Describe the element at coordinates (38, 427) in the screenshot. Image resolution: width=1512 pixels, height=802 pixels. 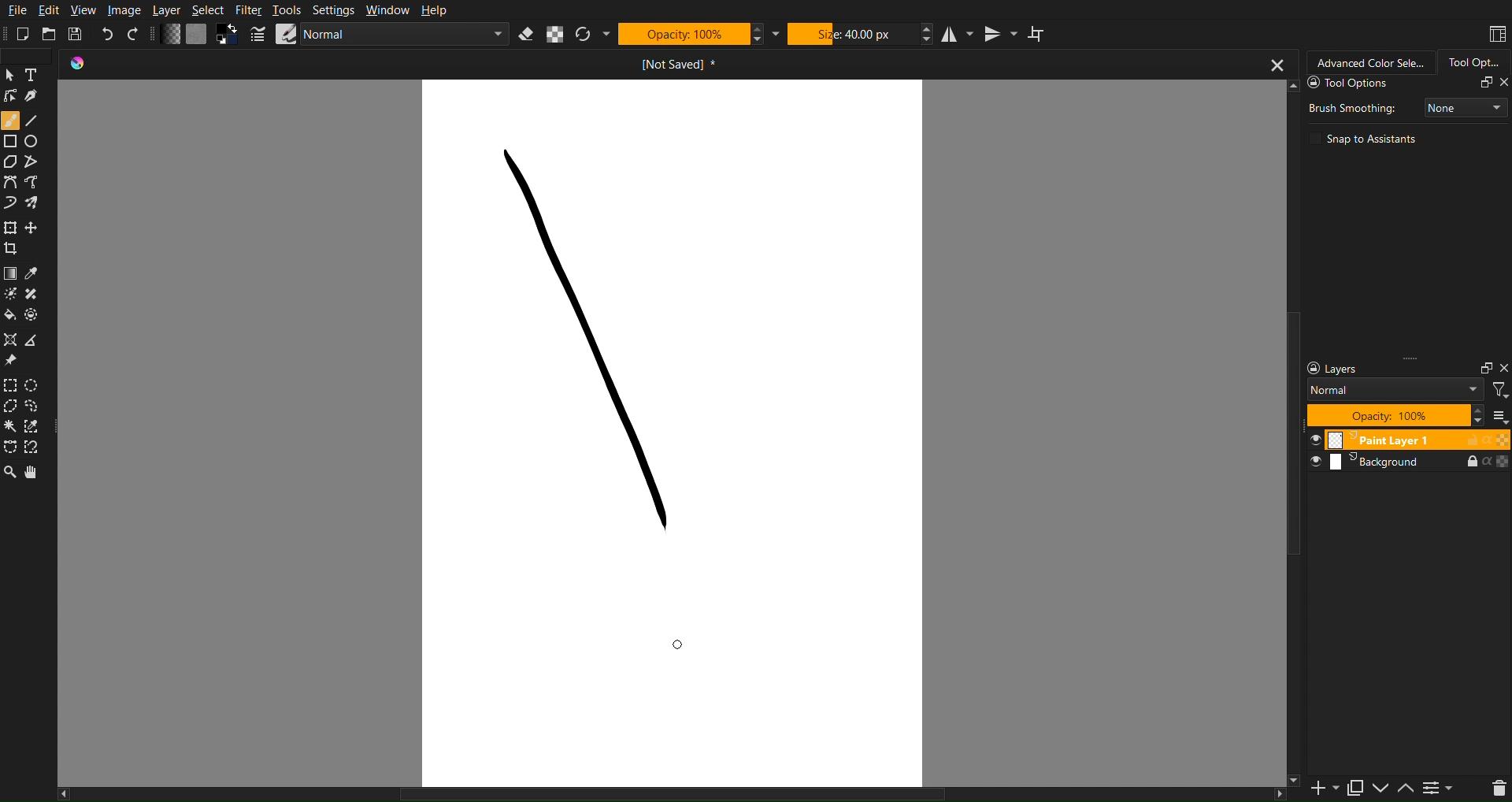
I see `Picker Marquee` at that location.